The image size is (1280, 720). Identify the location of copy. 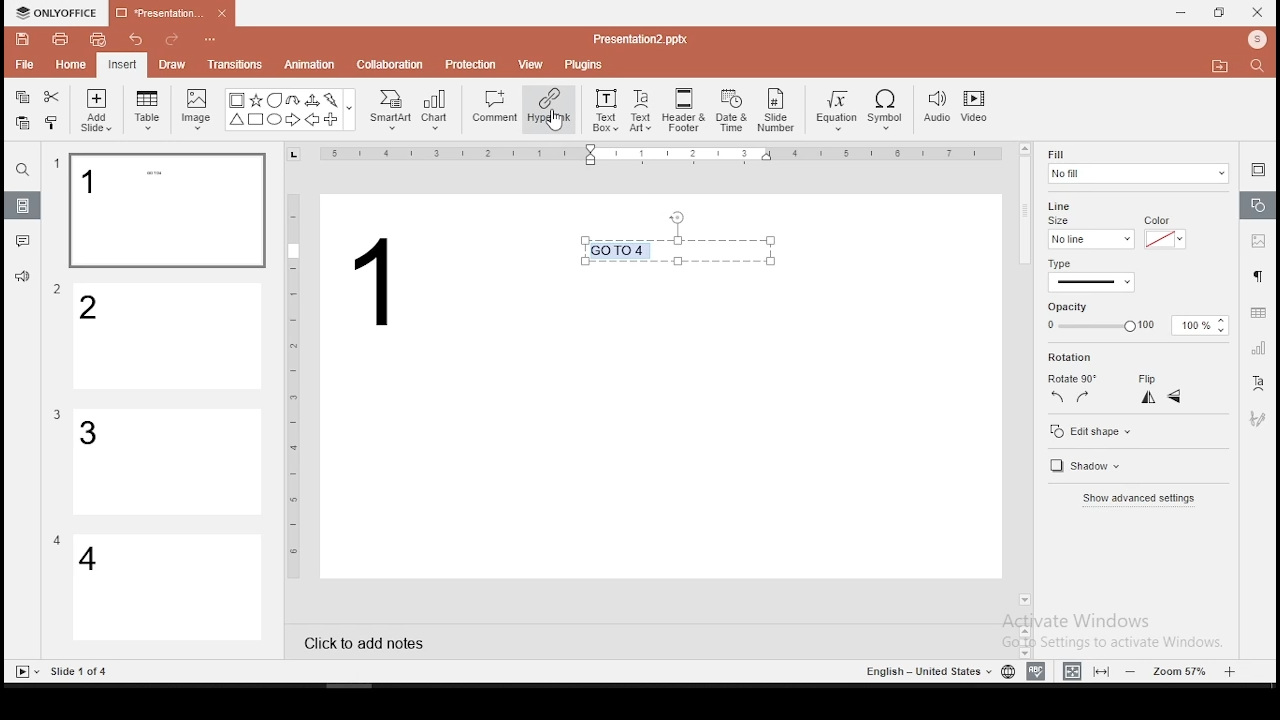
(22, 97).